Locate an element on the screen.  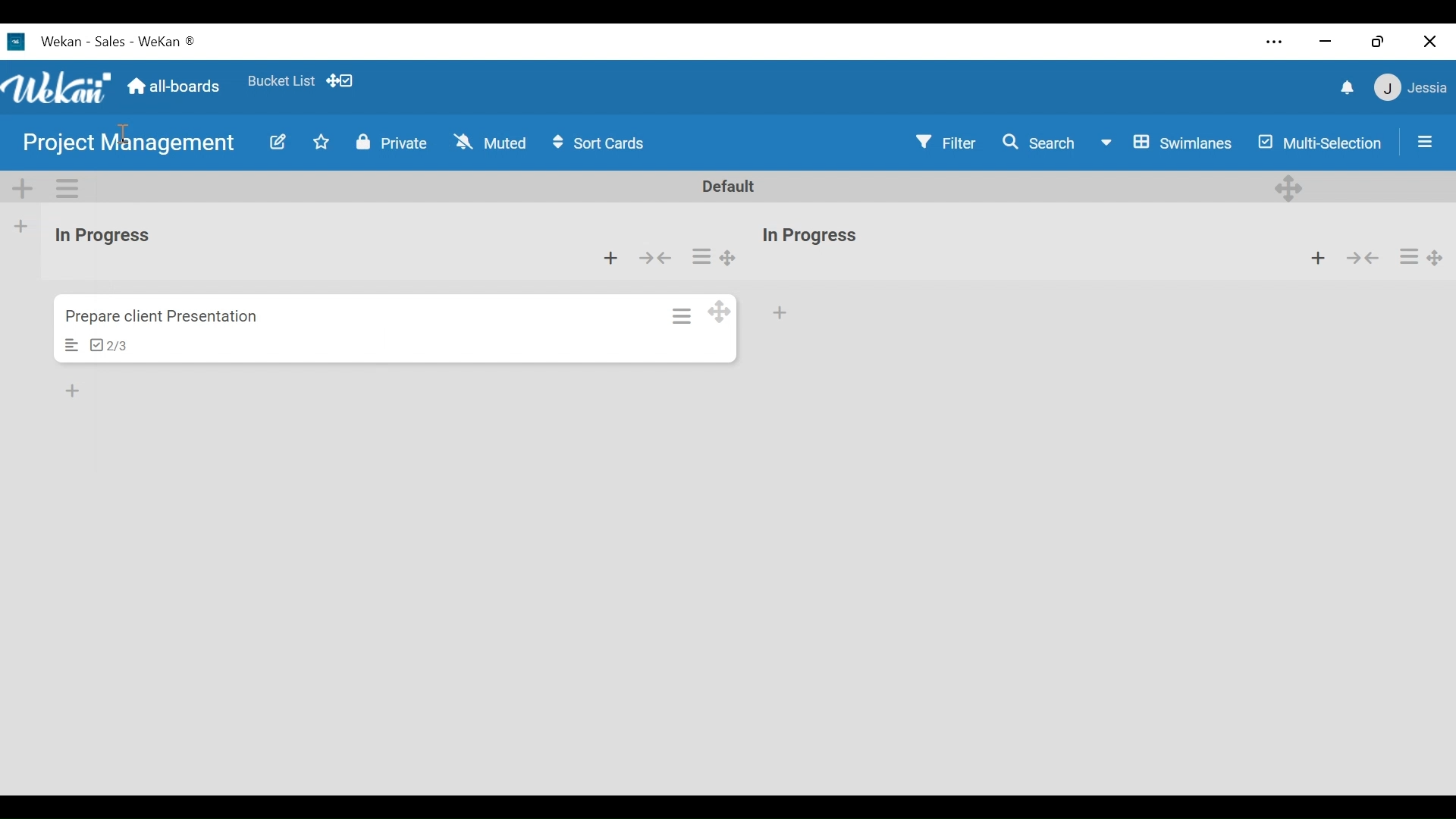
Member is located at coordinates (1412, 87).